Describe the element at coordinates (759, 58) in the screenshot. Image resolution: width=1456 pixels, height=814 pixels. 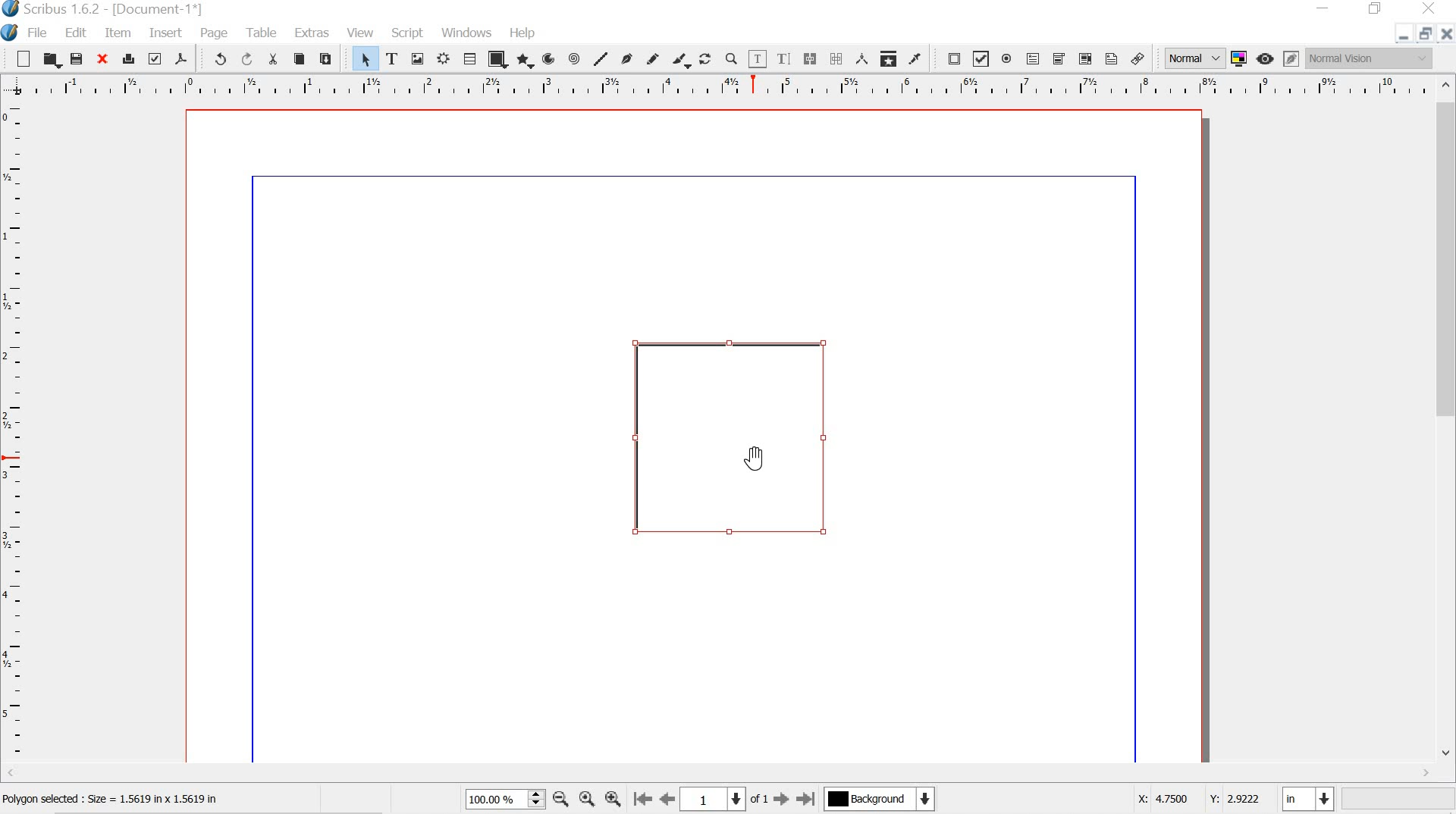
I see `edit content of frames` at that location.